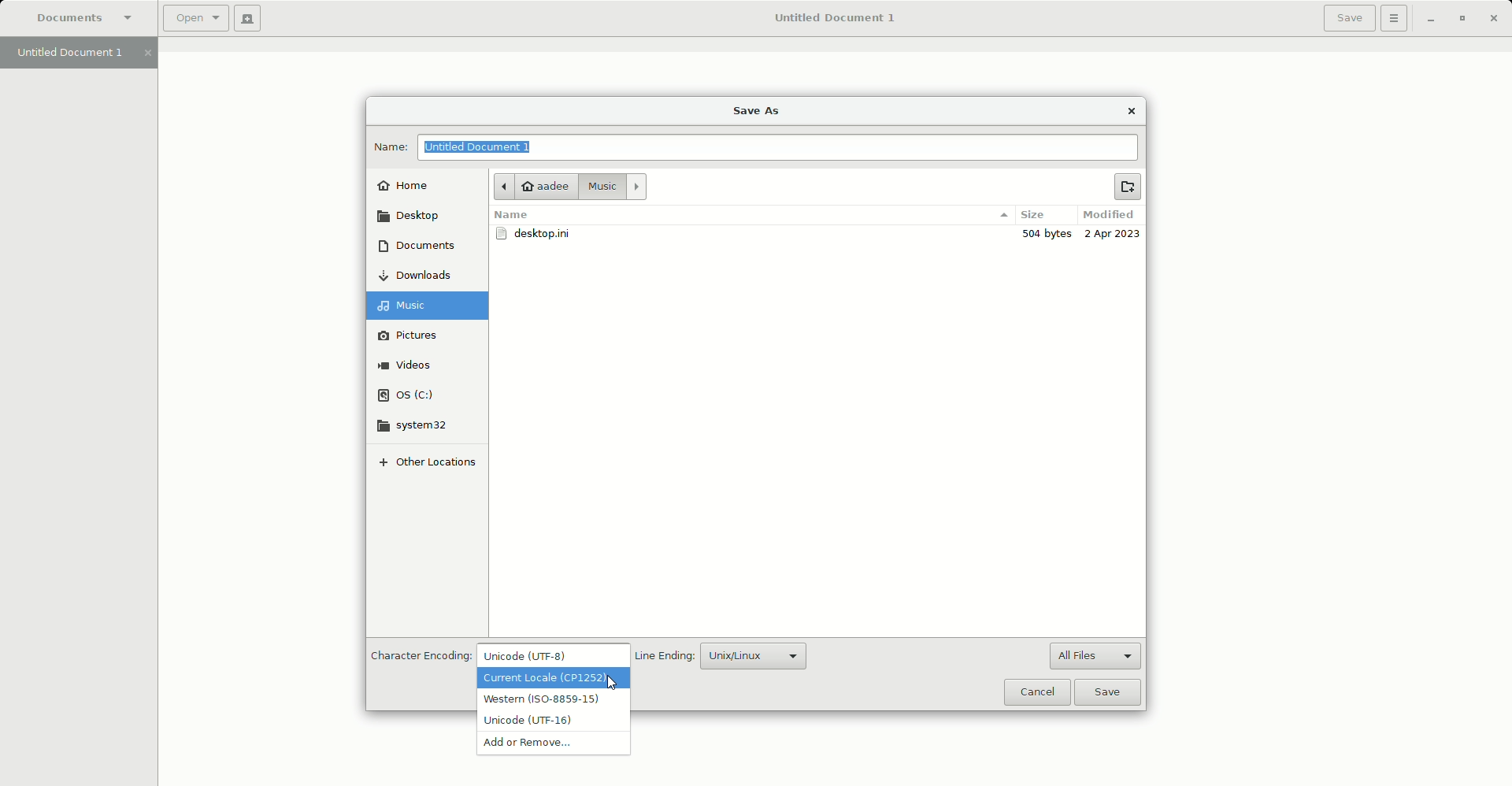 This screenshot has width=1512, height=786. I want to click on Untitled Document 1, so click(835, 19).